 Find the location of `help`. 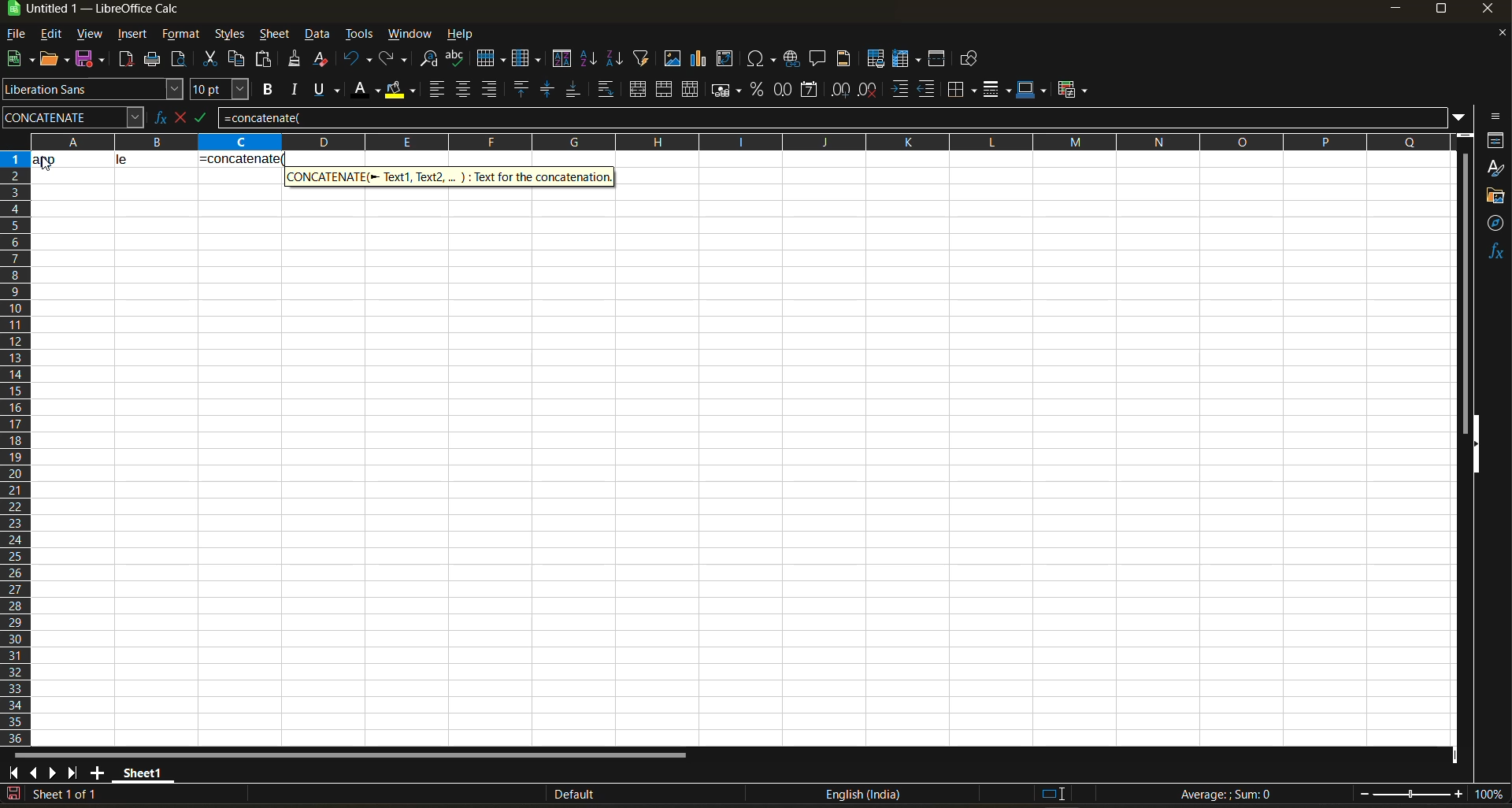

help is located at coordinates (465, 35).